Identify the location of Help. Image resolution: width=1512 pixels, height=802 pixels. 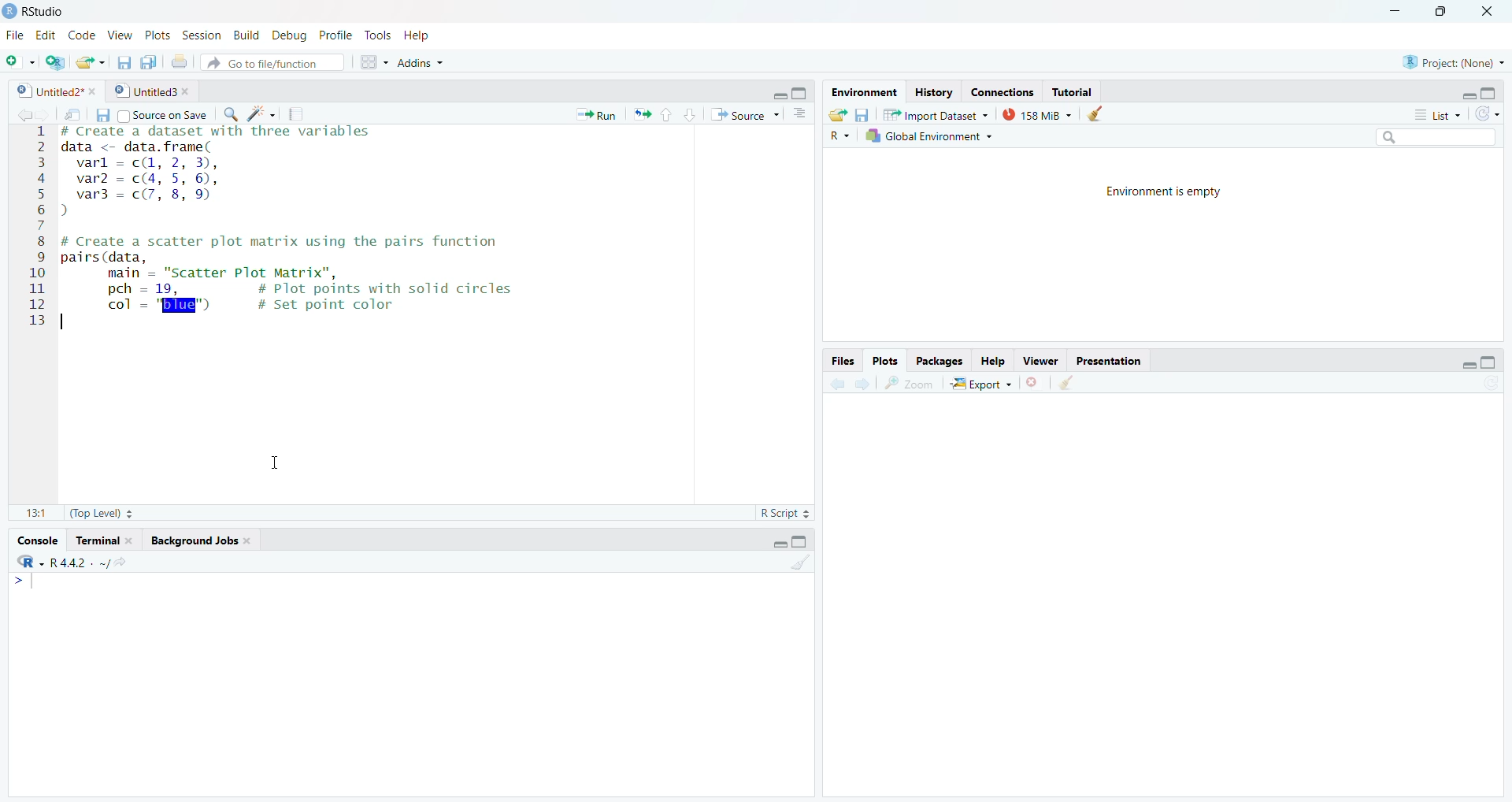
(995, 362).